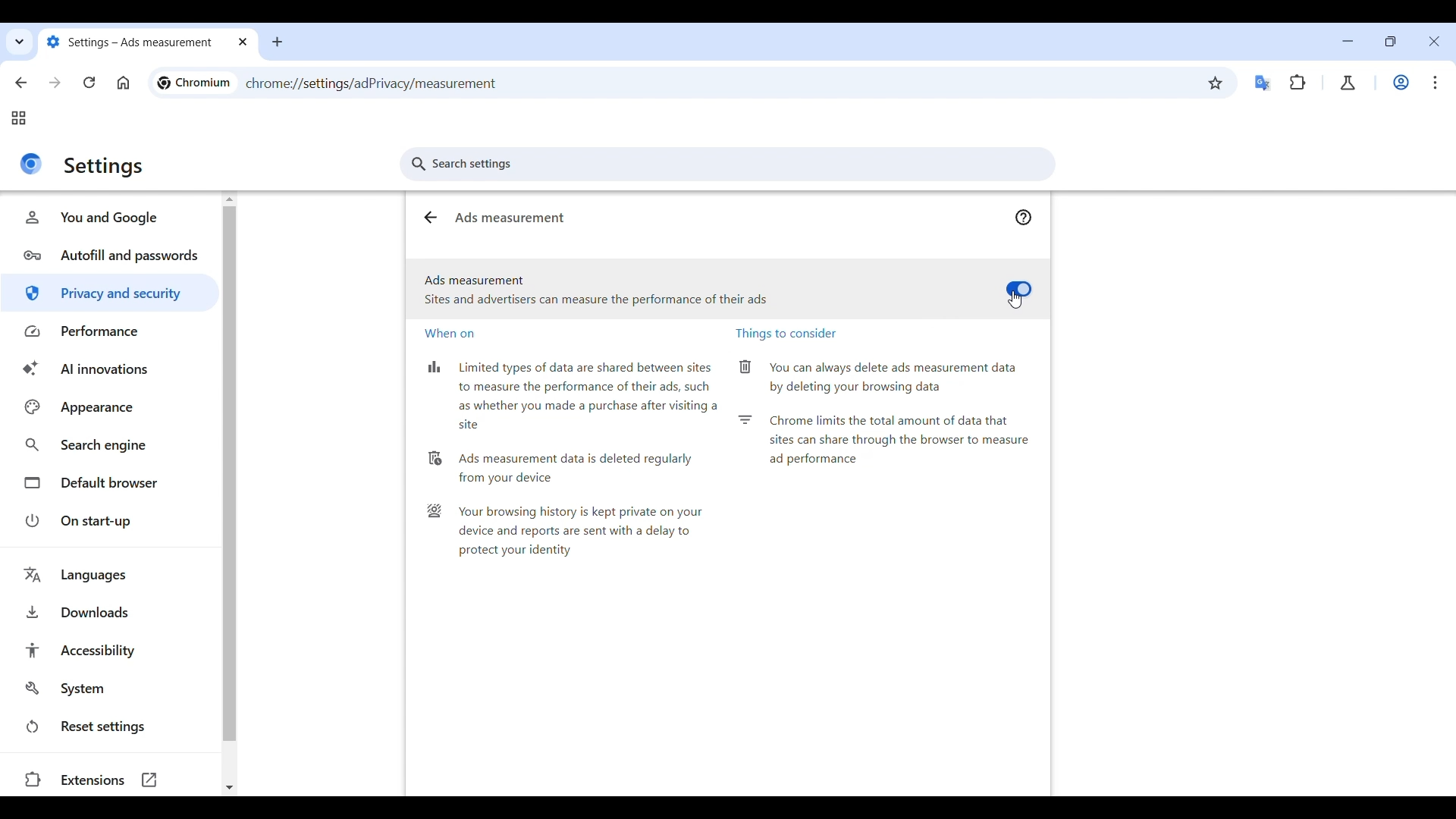  What do you see at coordinates (1298, 82) in the screenshot?
I see `Extensions` at bounding box center [1298, 82].